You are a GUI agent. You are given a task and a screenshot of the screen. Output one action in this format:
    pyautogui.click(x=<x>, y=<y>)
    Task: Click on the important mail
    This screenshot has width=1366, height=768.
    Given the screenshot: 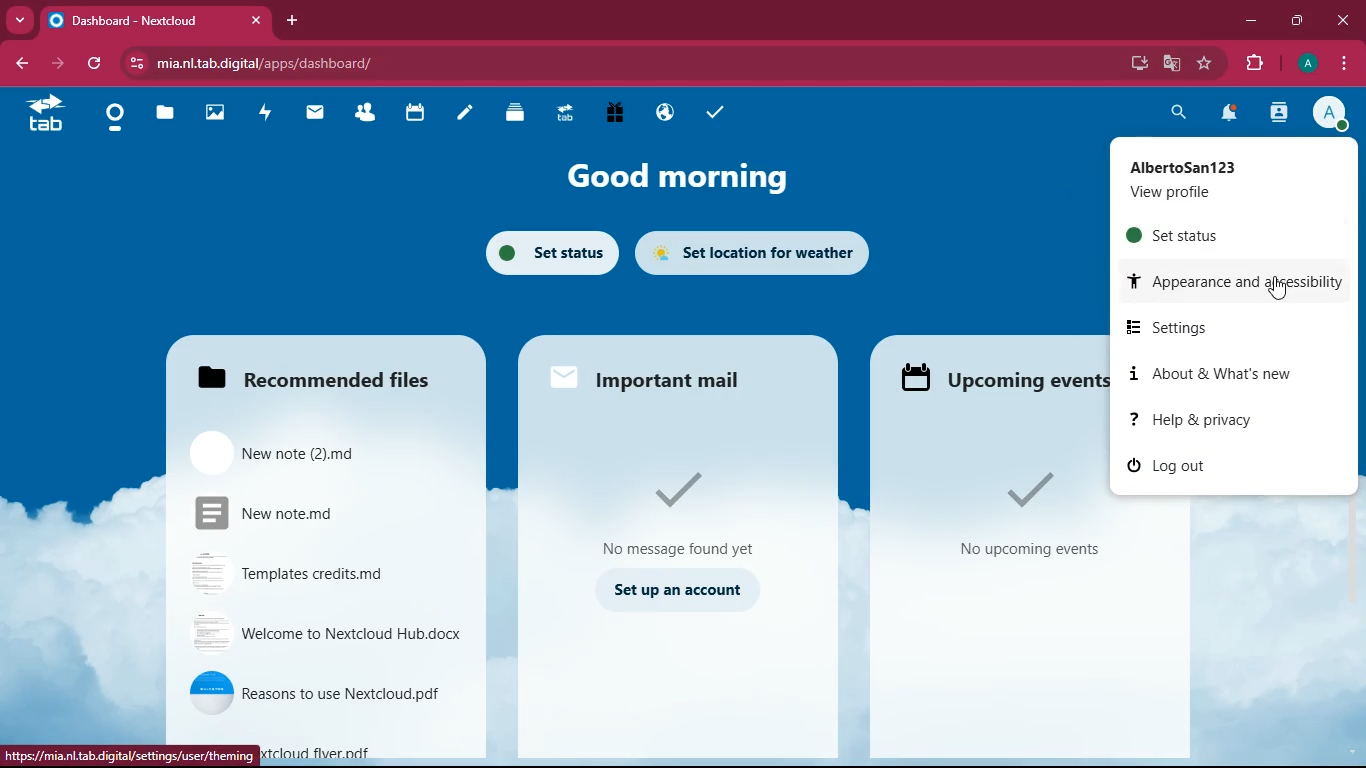 What is the action you would take?
    pyautogui.click(x=663, y=374)
    